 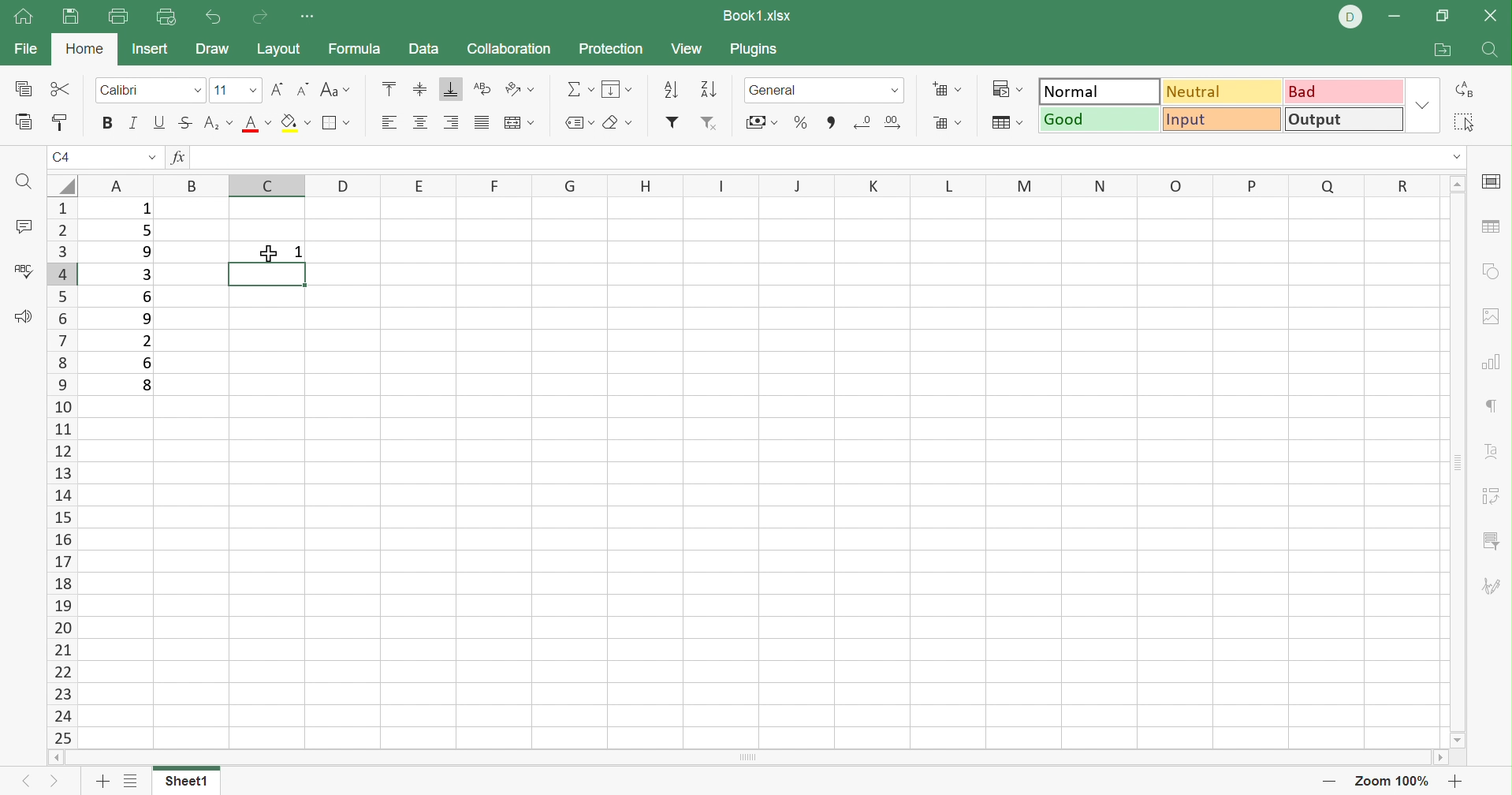 I want to click on Undo, so click(x=213, y=17).